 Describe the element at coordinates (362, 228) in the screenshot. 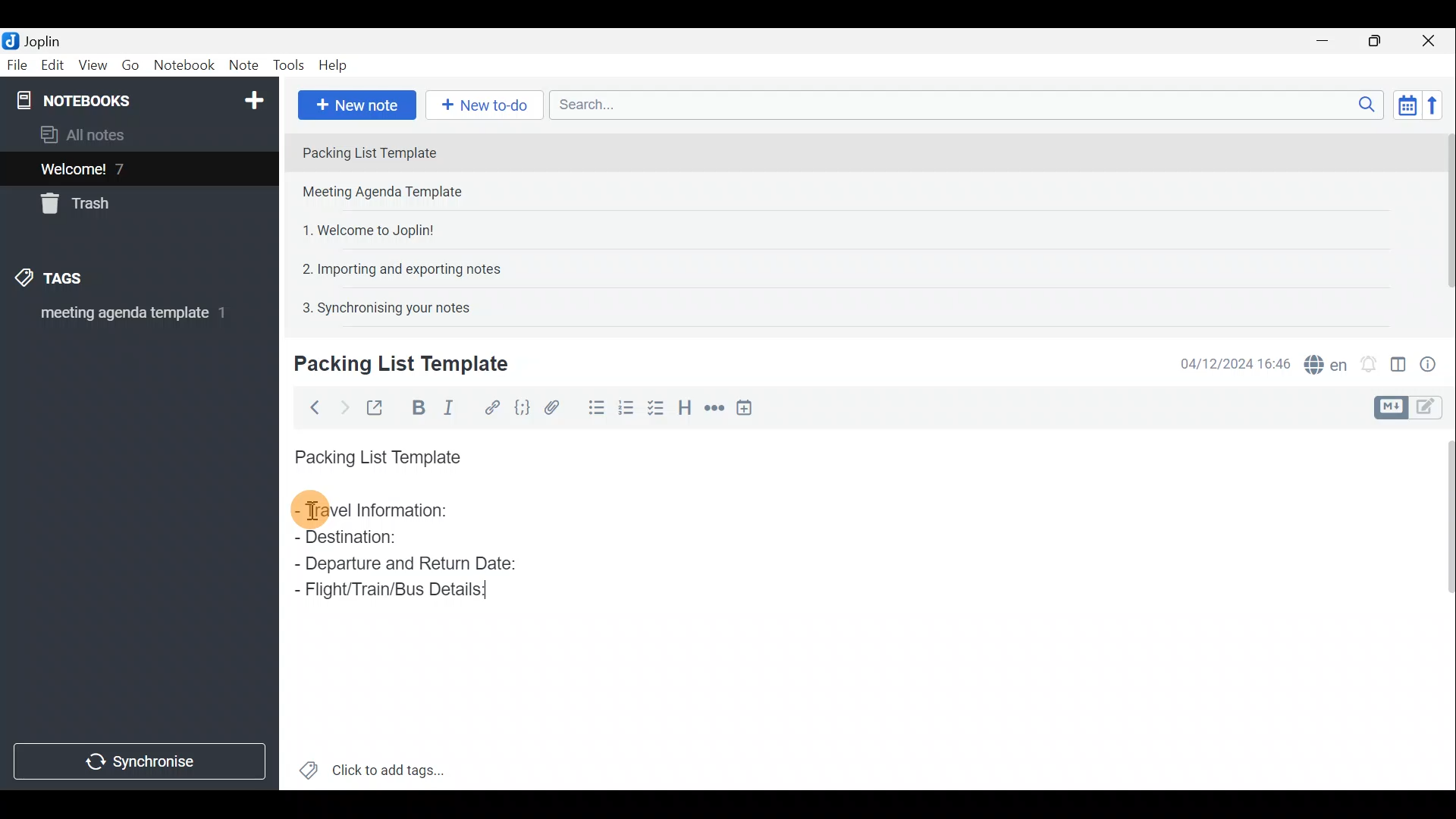

I see `Note 3` at that location.